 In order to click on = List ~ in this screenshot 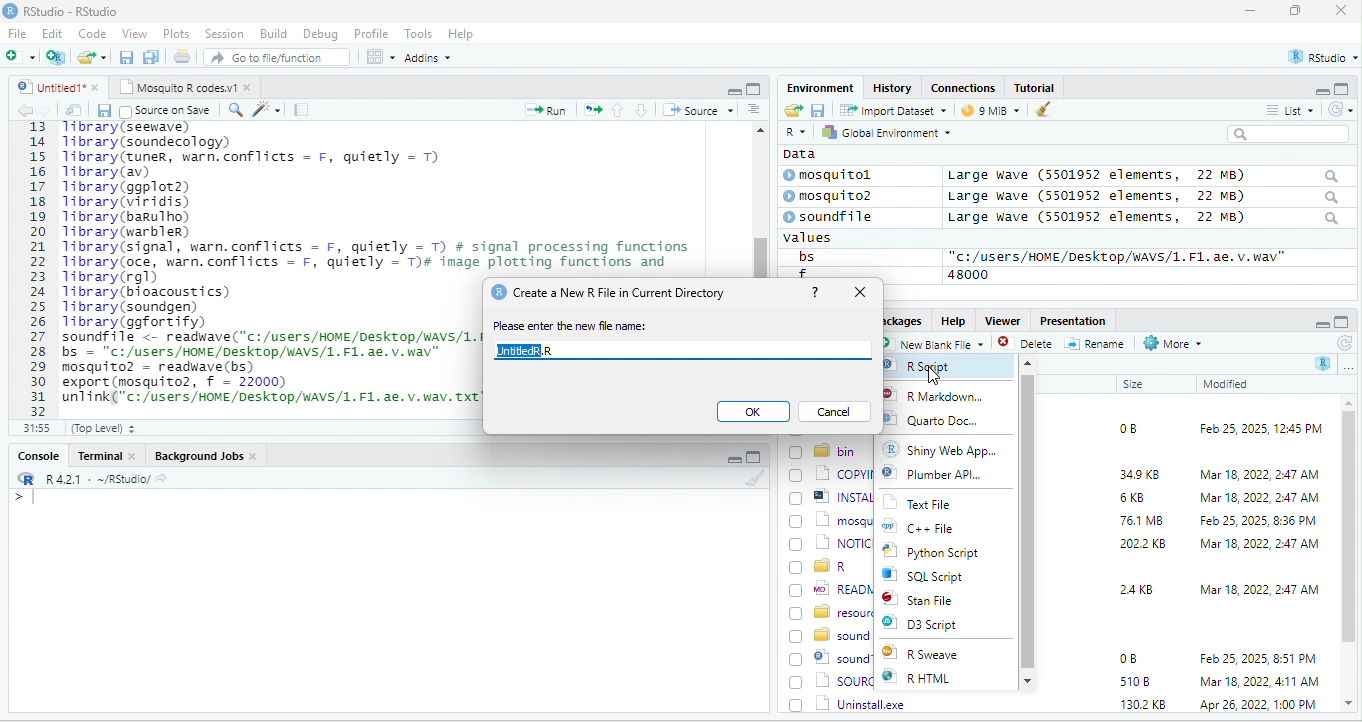, I will do `click(1286, 110)`.